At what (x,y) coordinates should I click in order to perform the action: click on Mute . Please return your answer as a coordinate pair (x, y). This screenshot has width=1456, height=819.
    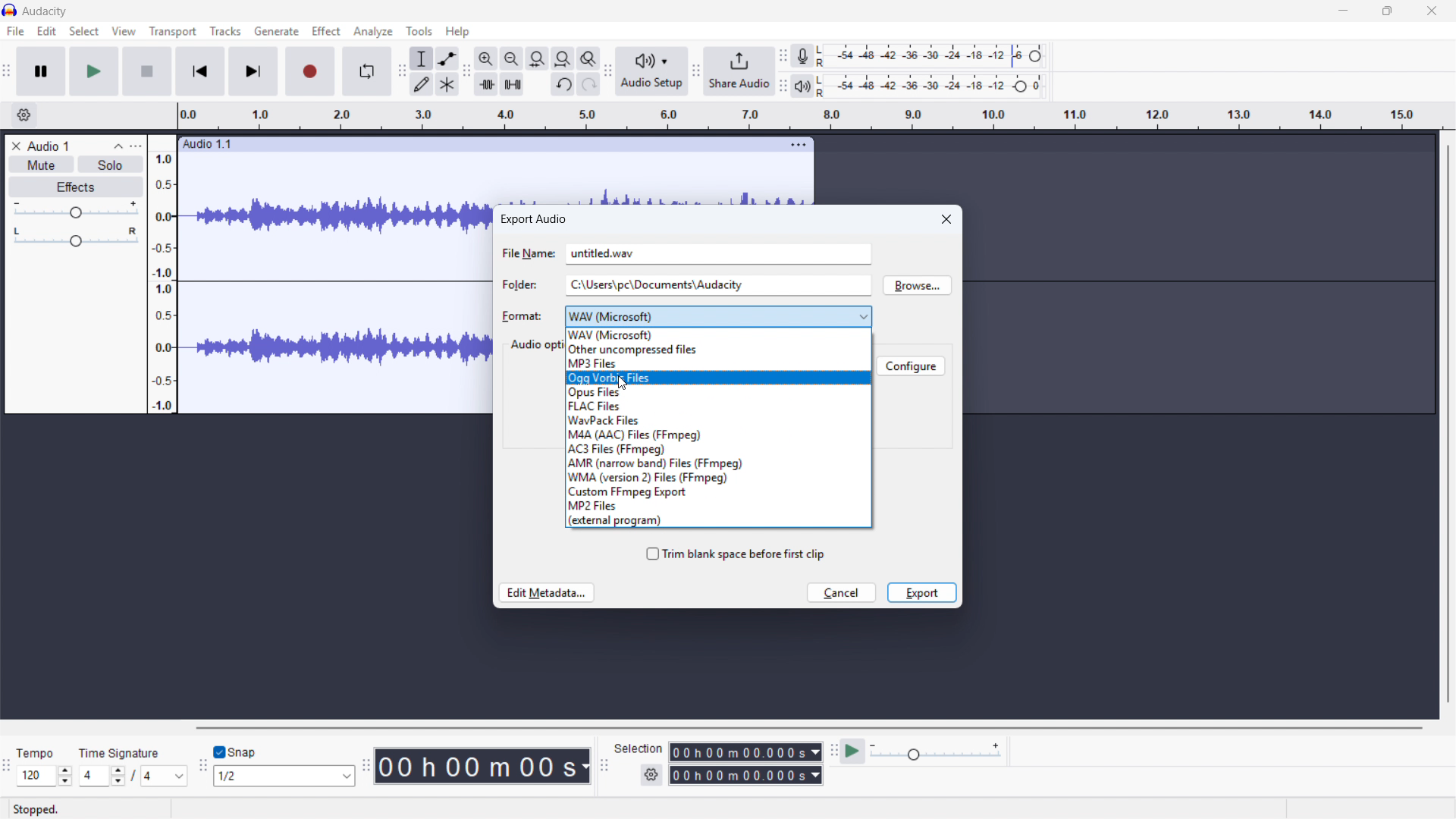
    Looking at the image, I should click on (40, 164).